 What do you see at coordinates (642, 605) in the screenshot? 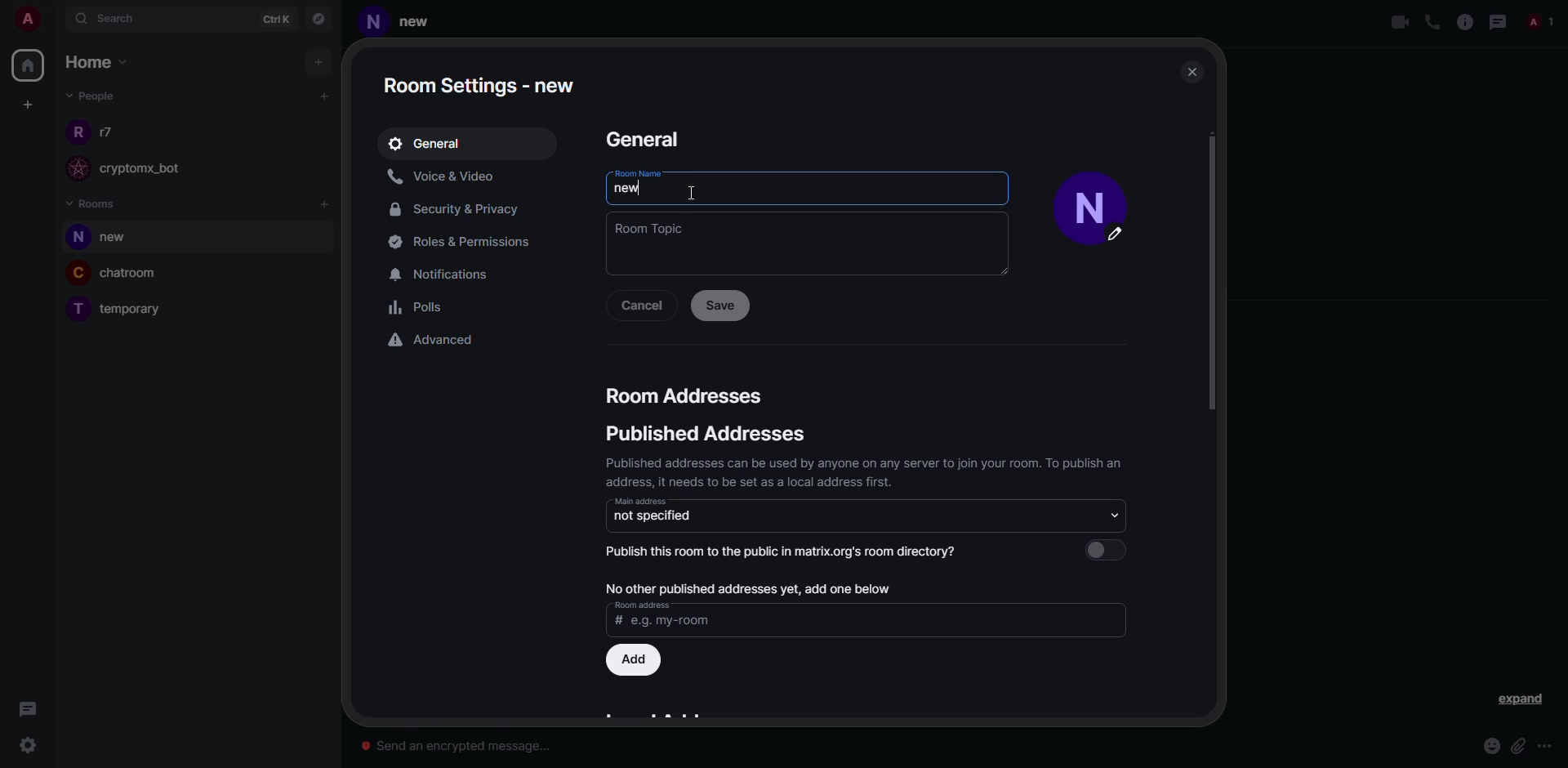
I see `room address` at bounding box center [642, 605].